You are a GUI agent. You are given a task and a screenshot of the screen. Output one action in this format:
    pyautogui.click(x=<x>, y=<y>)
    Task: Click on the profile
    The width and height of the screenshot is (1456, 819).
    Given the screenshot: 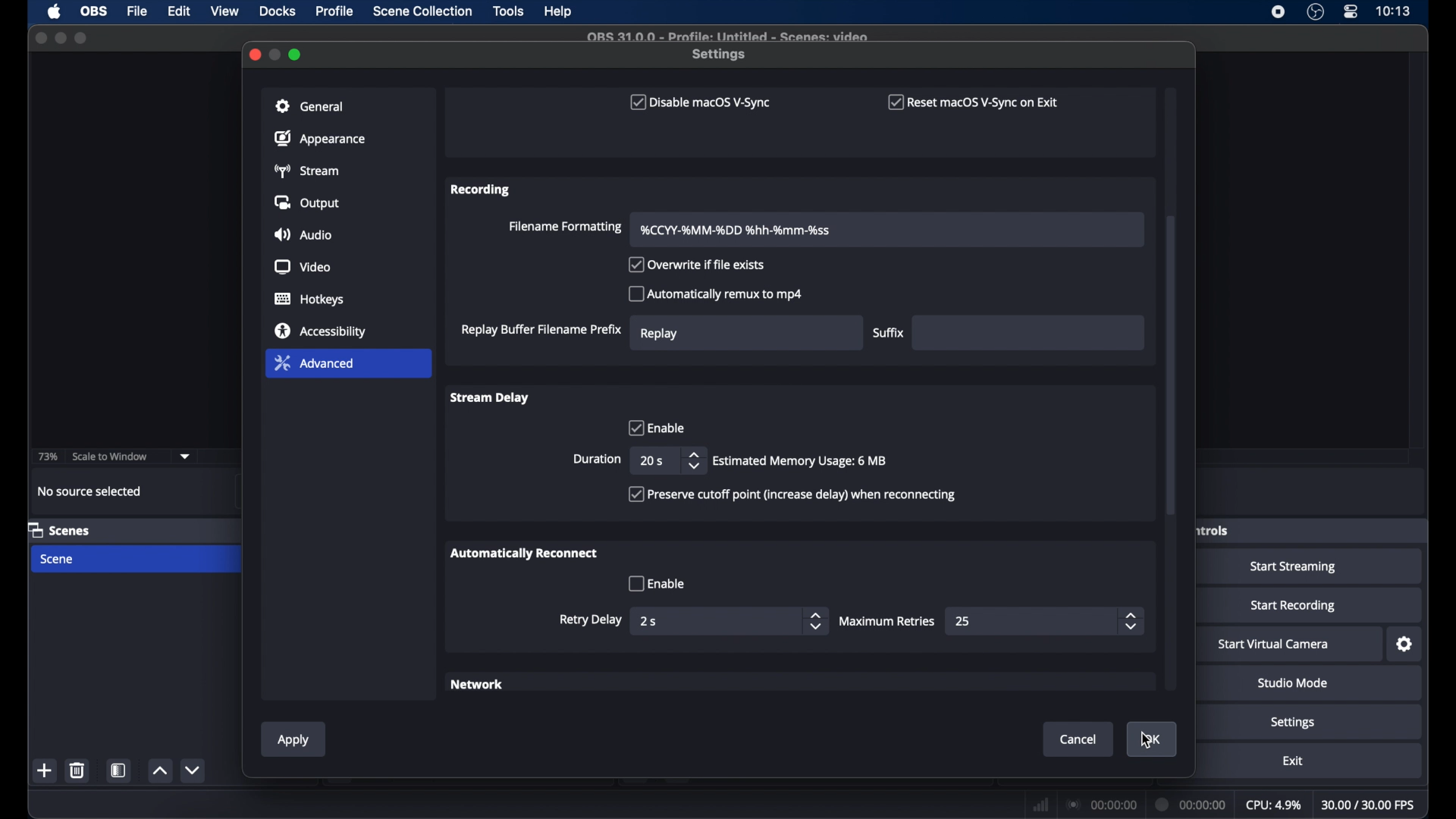 What is the action you would take?
    pyautogui.click(x=336, y=11)
    